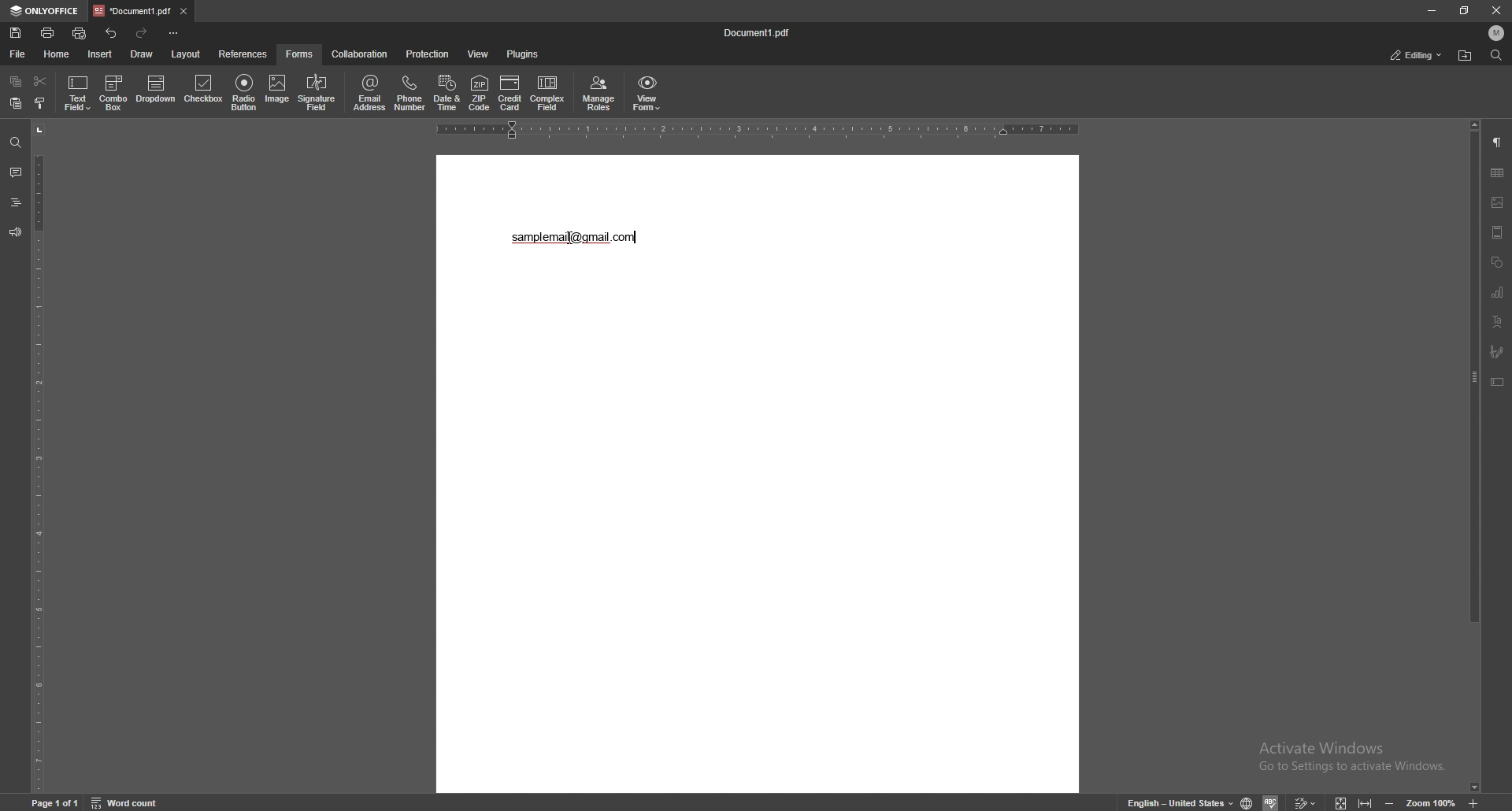 This screenshot has width=1512, height=811. I want to click on find location, so click(1466, 55).